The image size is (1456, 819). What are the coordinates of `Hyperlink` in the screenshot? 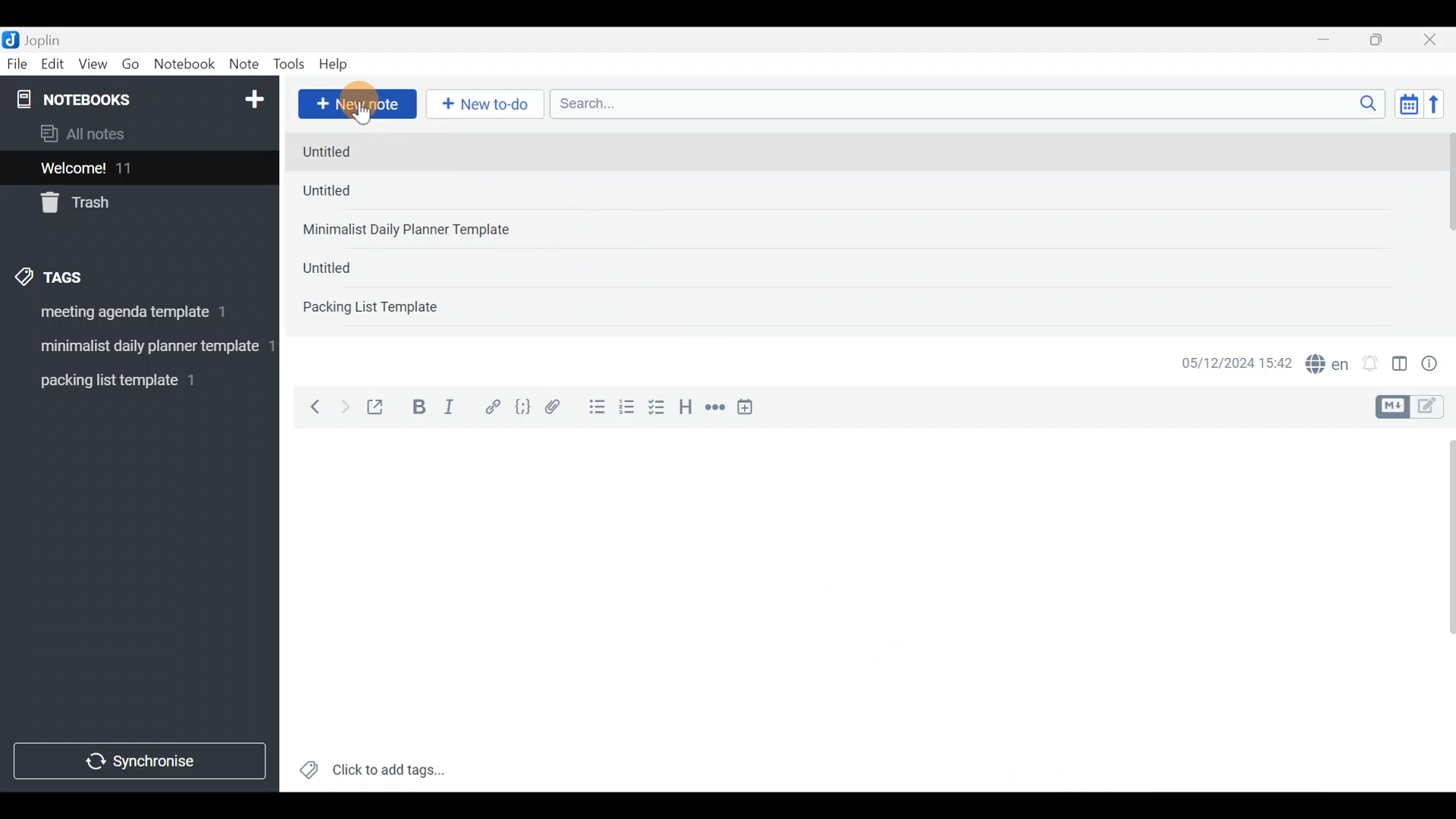 It's located at (493, 407).